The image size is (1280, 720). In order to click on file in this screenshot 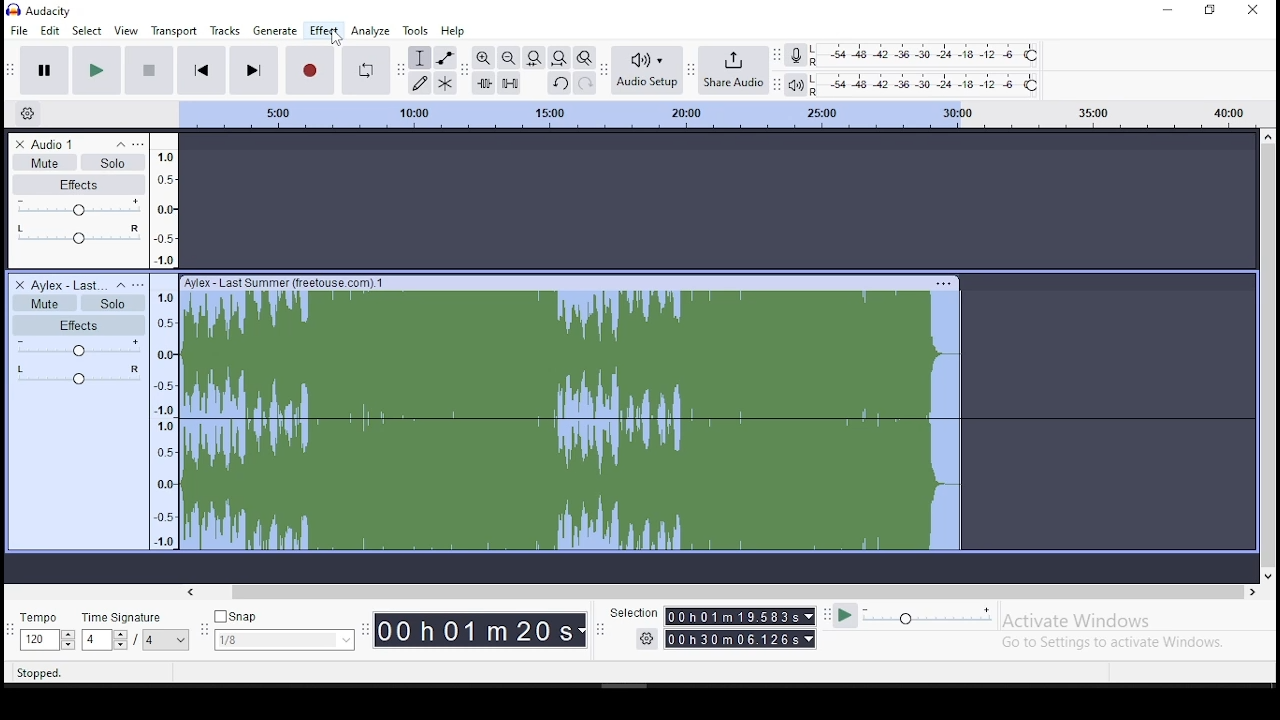, I will do `click(16, 30)`.